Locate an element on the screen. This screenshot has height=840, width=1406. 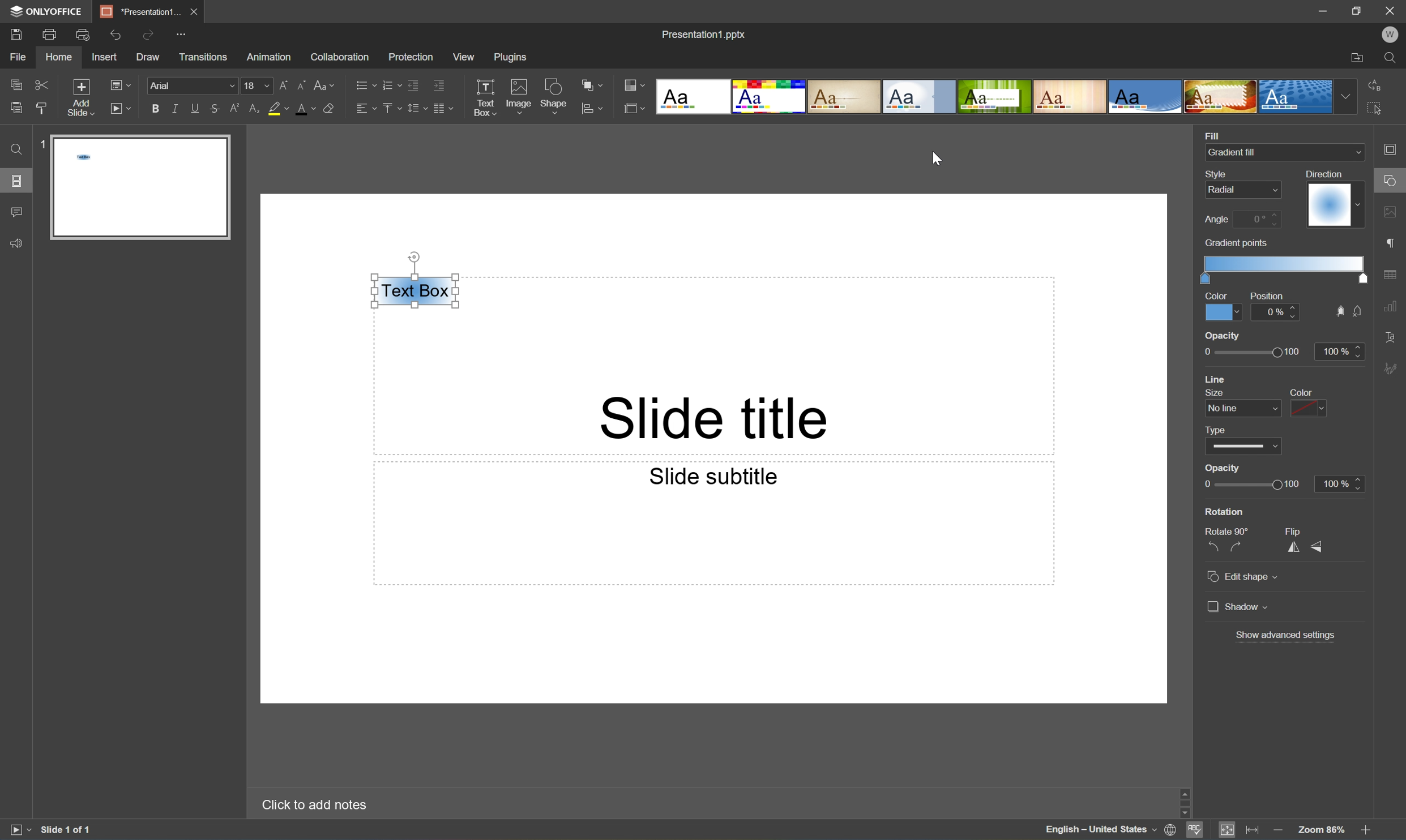
Image settings is located at coordinates (1392, 213).